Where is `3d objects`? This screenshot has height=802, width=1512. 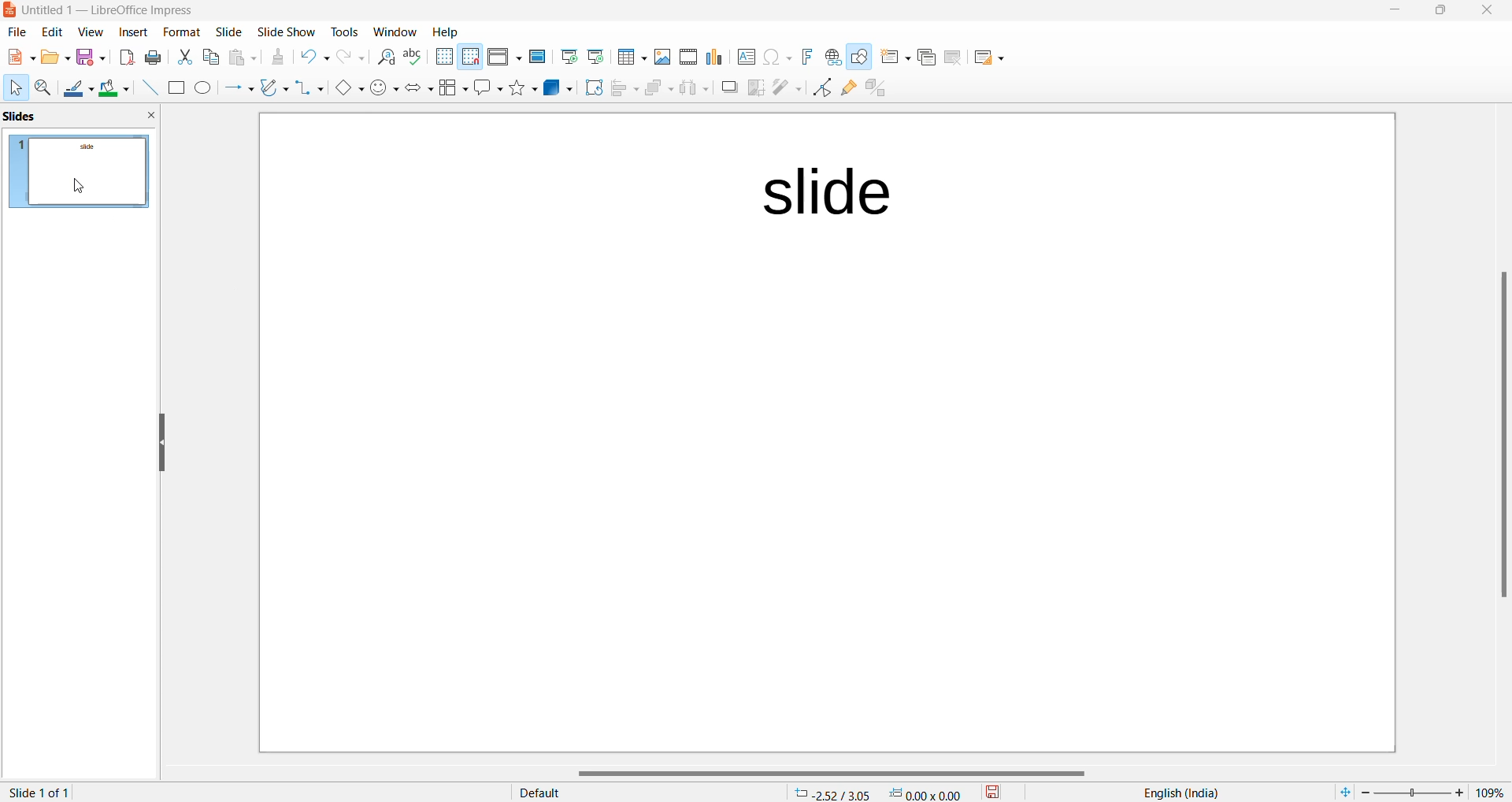
3d objects is located at coordinates (558, 87).